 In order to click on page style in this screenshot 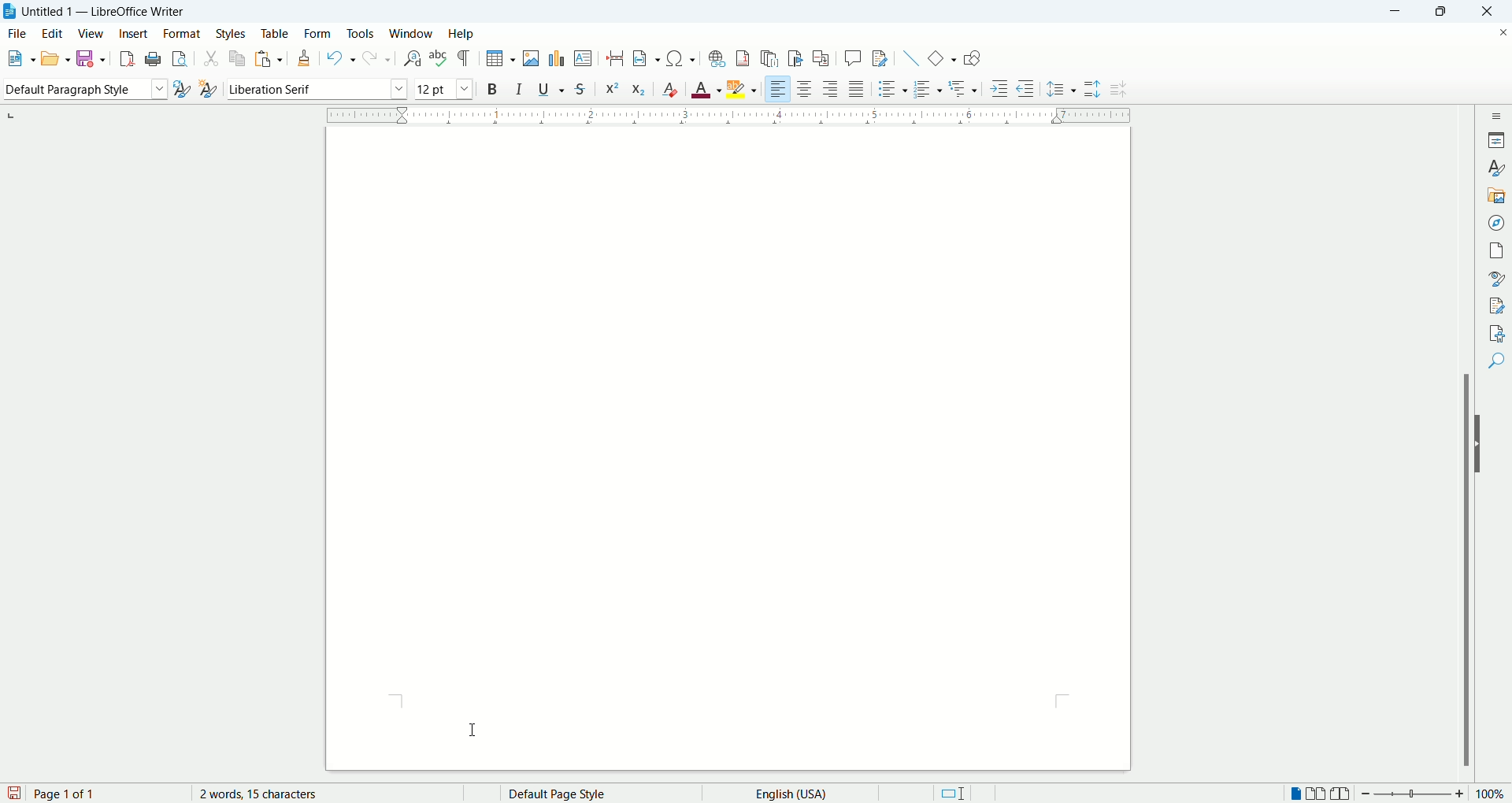, I will do `click(587, 794)`.